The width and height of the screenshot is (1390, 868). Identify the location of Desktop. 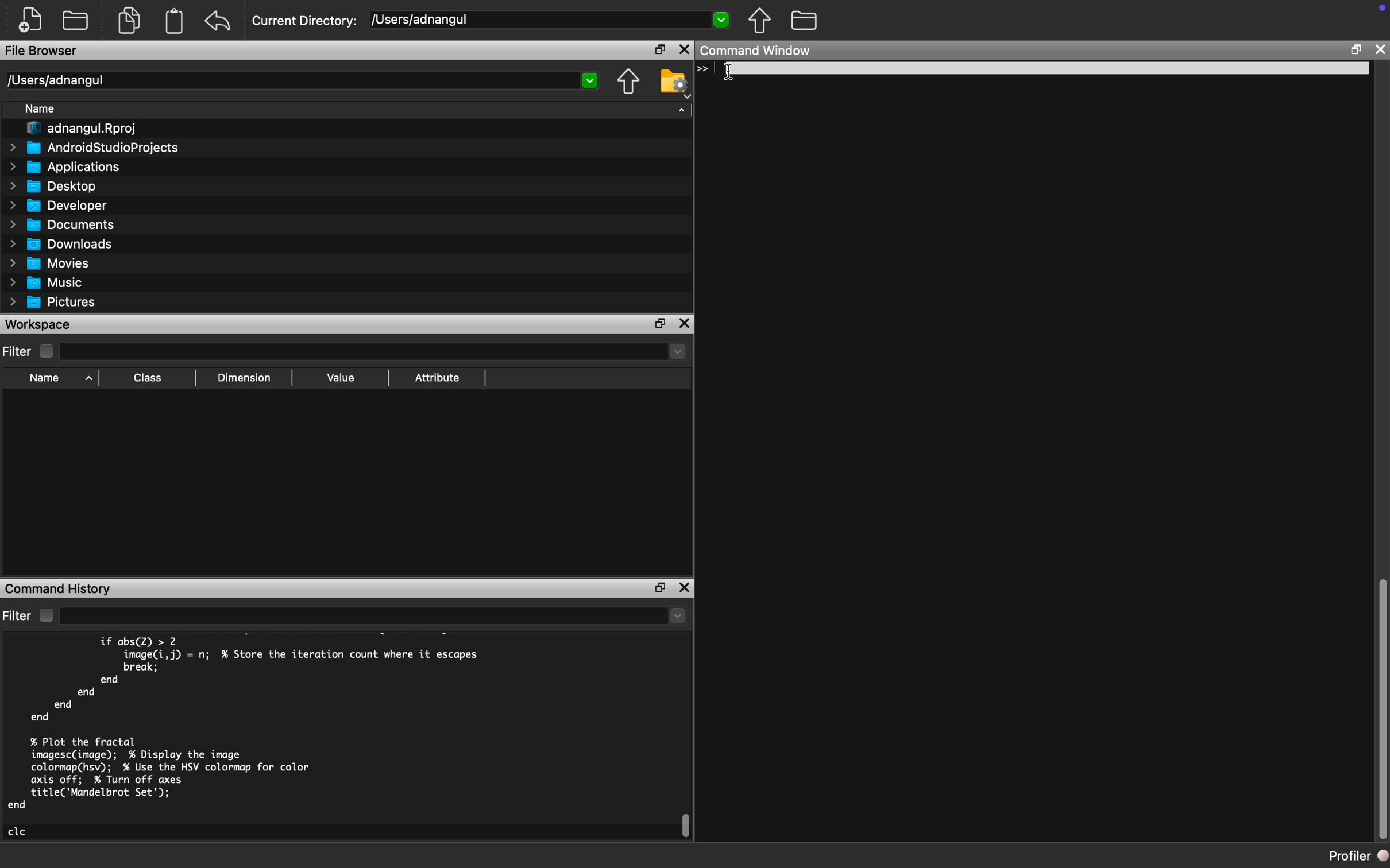
(50, 187).